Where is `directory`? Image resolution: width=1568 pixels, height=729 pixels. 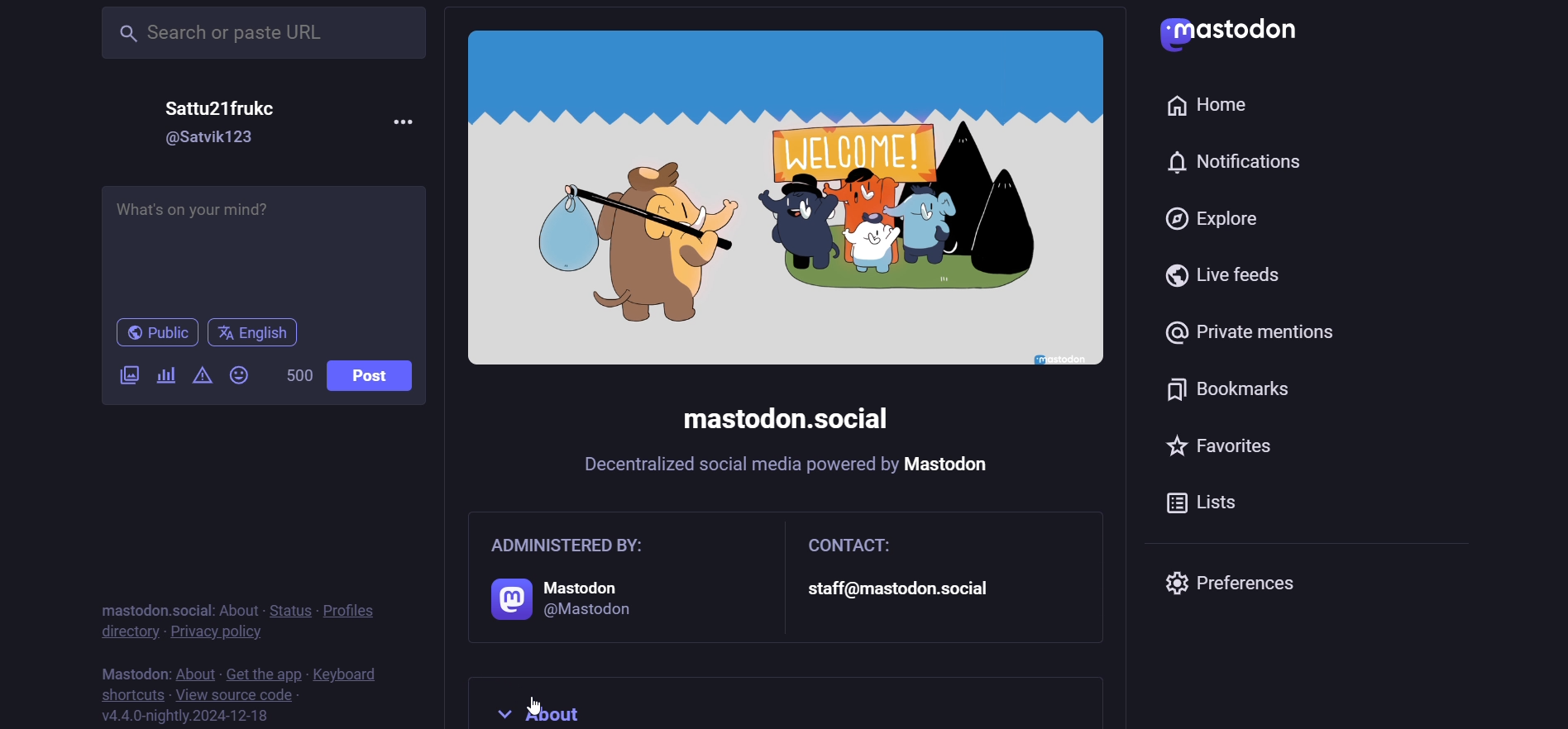 directory is located at coordinates (126, 631).